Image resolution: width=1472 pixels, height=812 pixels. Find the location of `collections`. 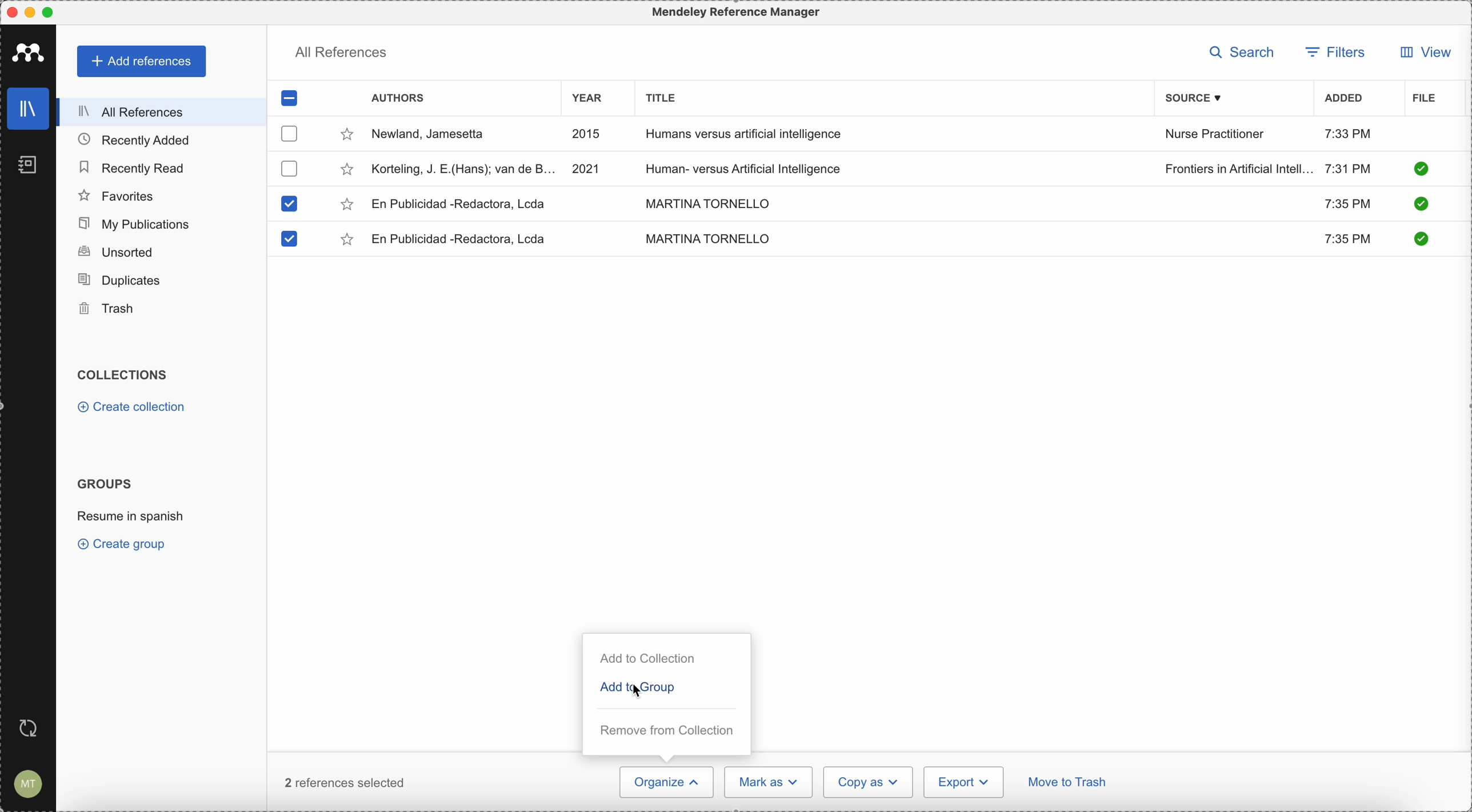

collections is located at coordinates (125, 375).